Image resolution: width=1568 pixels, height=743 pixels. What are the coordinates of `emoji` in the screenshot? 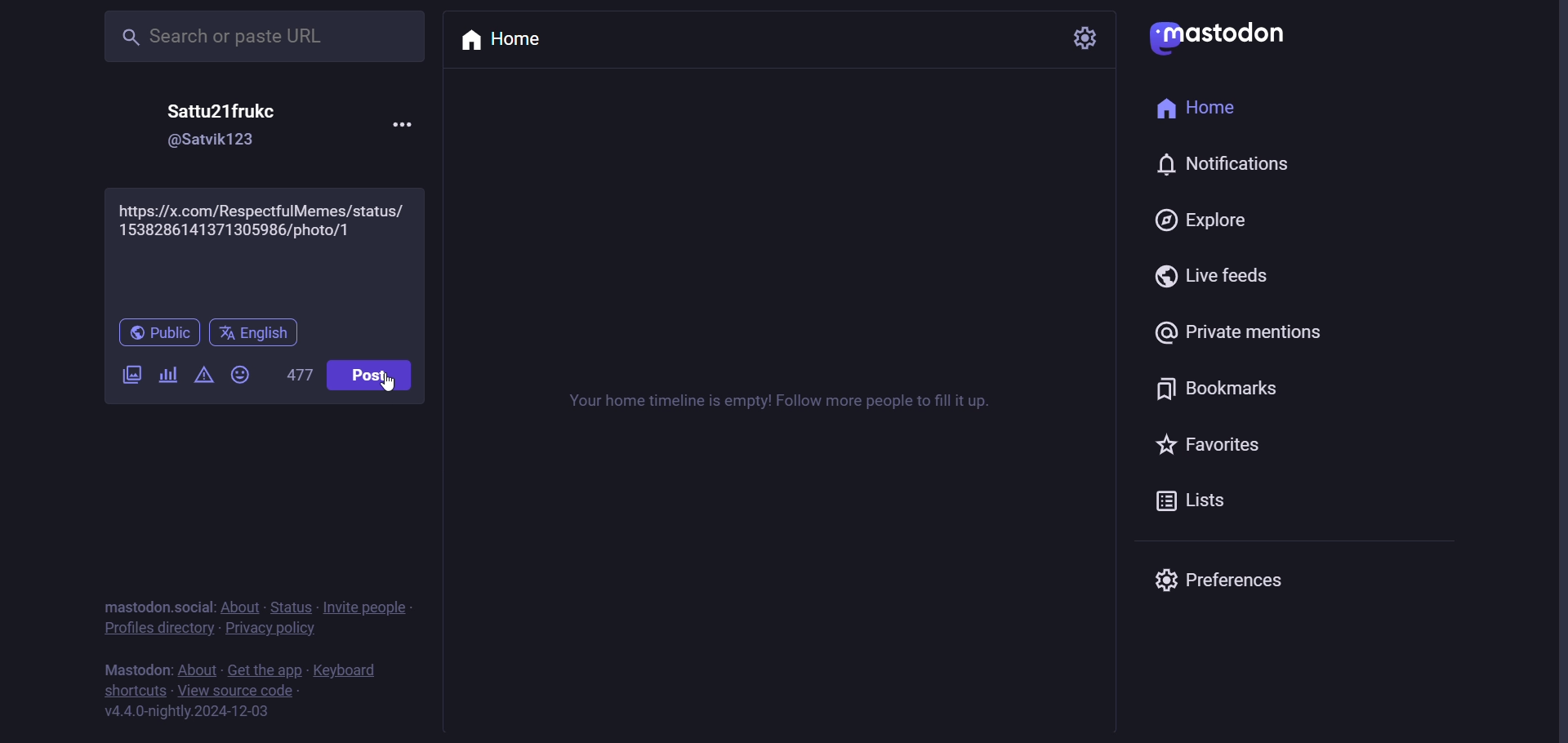 It's located at (241, 376).